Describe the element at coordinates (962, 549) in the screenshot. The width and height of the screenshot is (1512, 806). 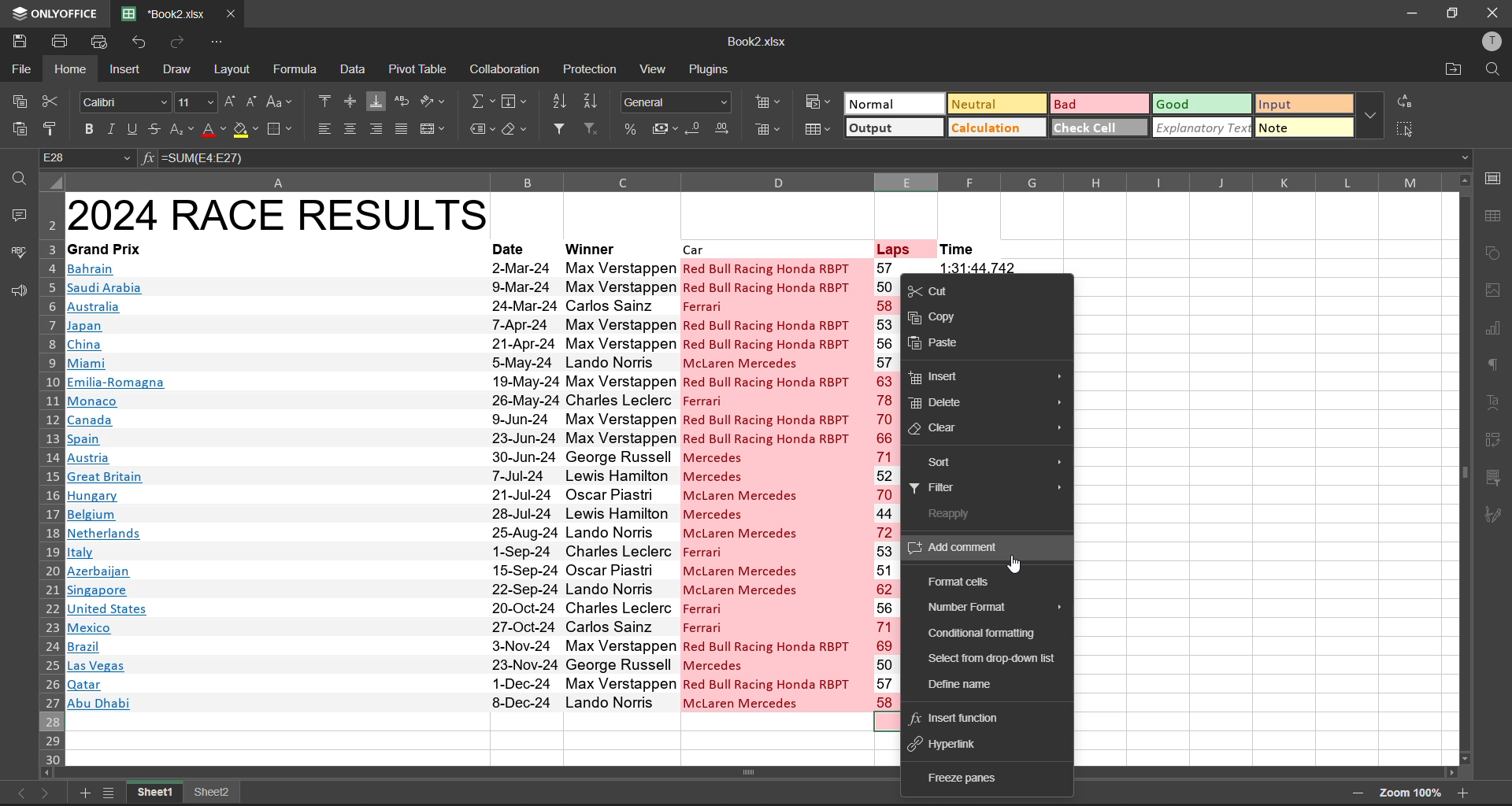
I see `add comment` at that location.